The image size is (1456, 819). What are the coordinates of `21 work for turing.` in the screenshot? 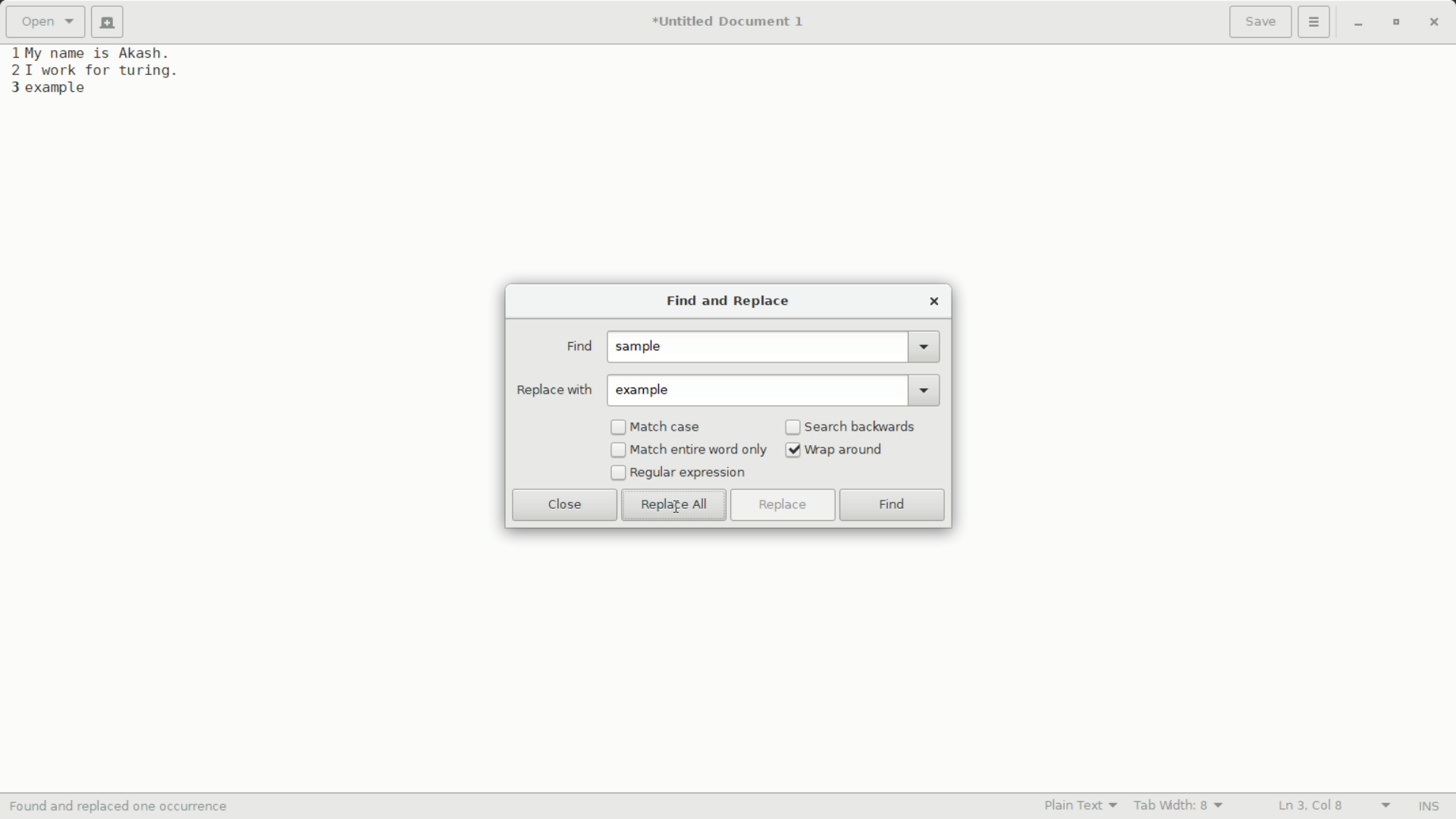 It's located at (93, 71).